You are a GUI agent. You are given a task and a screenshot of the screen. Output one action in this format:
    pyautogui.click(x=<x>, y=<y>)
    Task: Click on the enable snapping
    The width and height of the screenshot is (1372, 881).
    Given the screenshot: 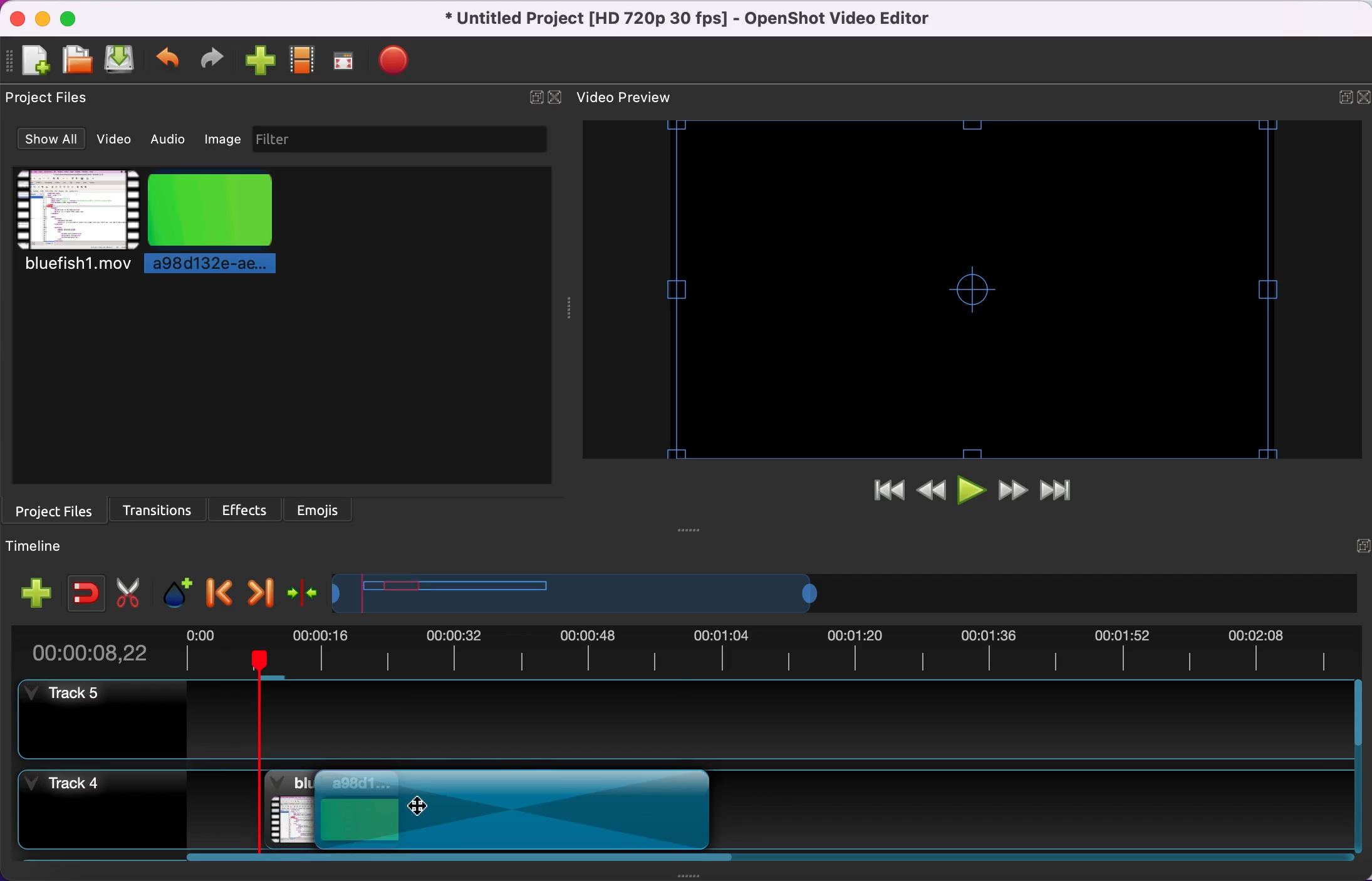 What is the action you would take?
    pyautogui.click(x=84, y=590)
    